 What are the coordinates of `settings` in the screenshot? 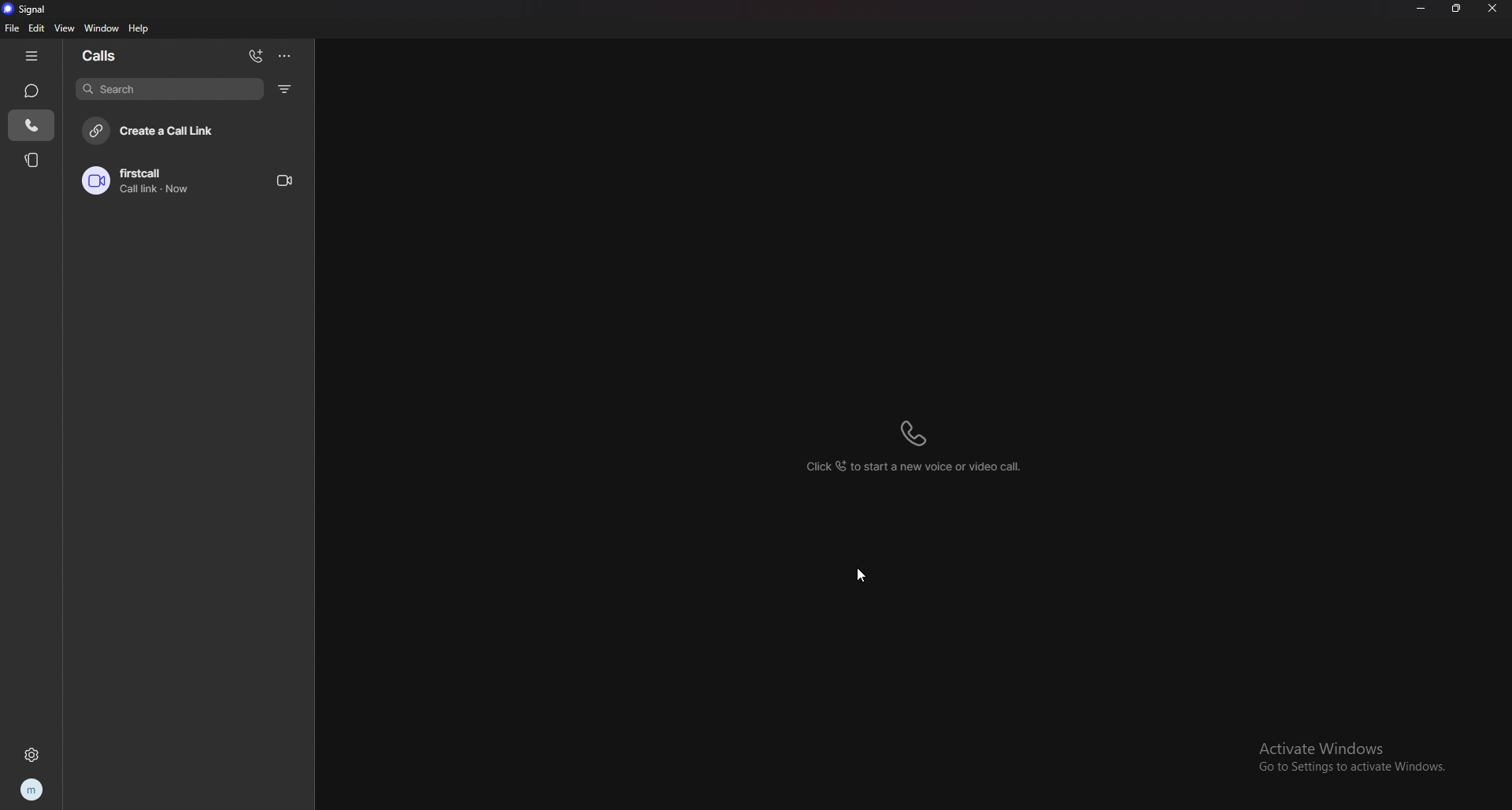 It's located at (31, 754).